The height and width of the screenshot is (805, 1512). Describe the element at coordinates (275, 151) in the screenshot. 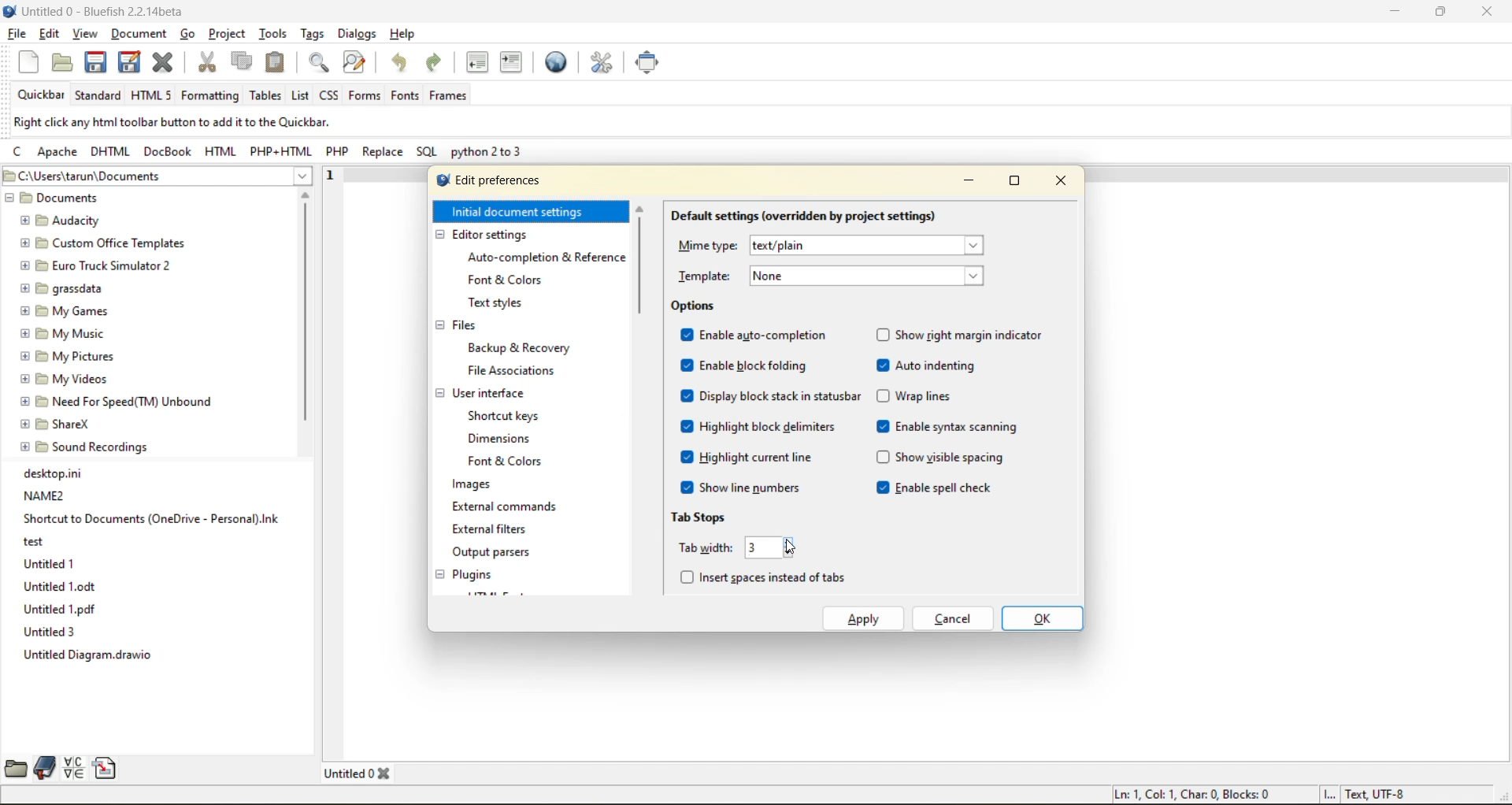

I see `php html` at that location.